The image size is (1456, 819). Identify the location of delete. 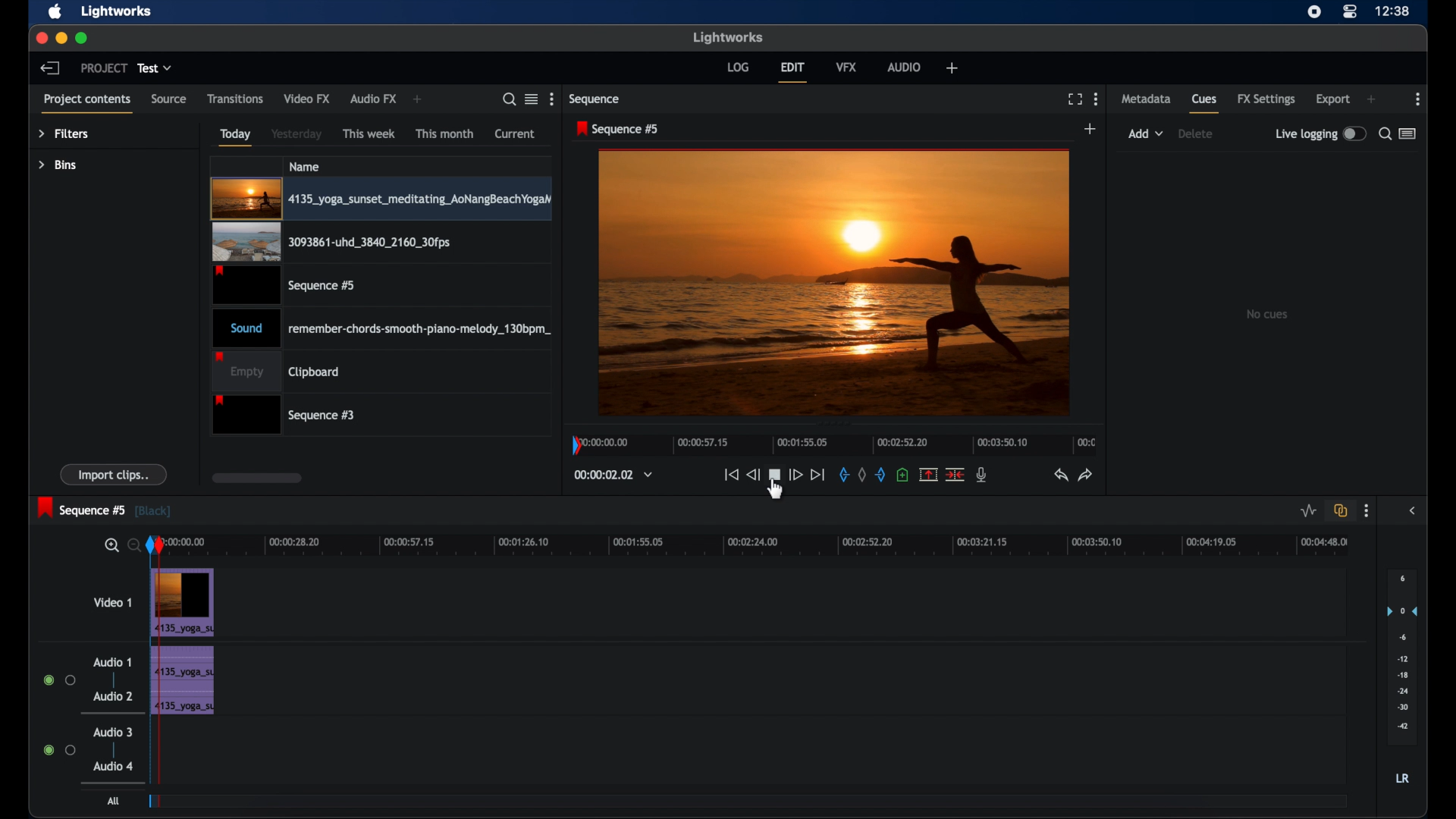
(1198, 134).